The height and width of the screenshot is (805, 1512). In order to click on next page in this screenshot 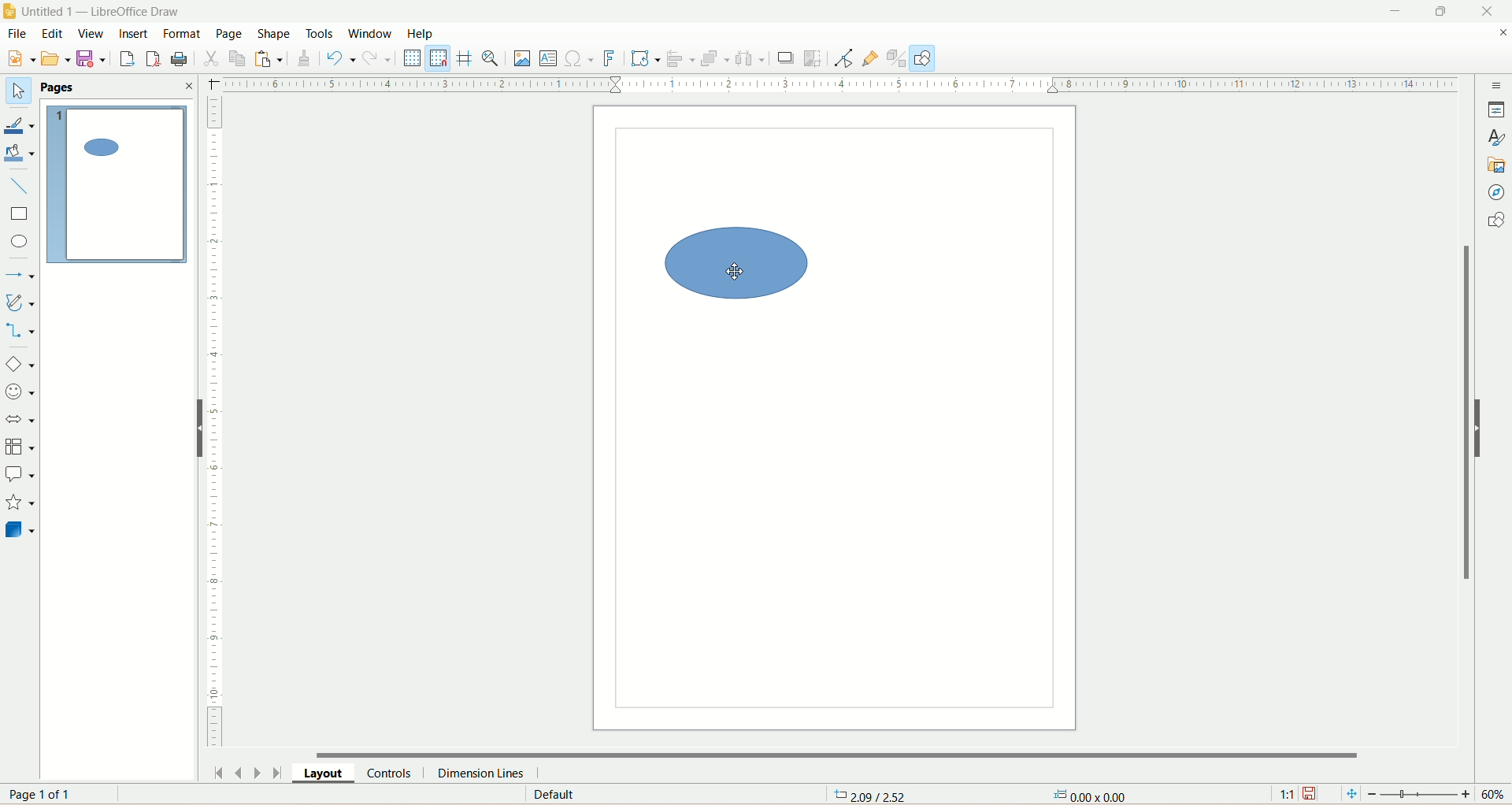, I will do `click(259, 773)`.